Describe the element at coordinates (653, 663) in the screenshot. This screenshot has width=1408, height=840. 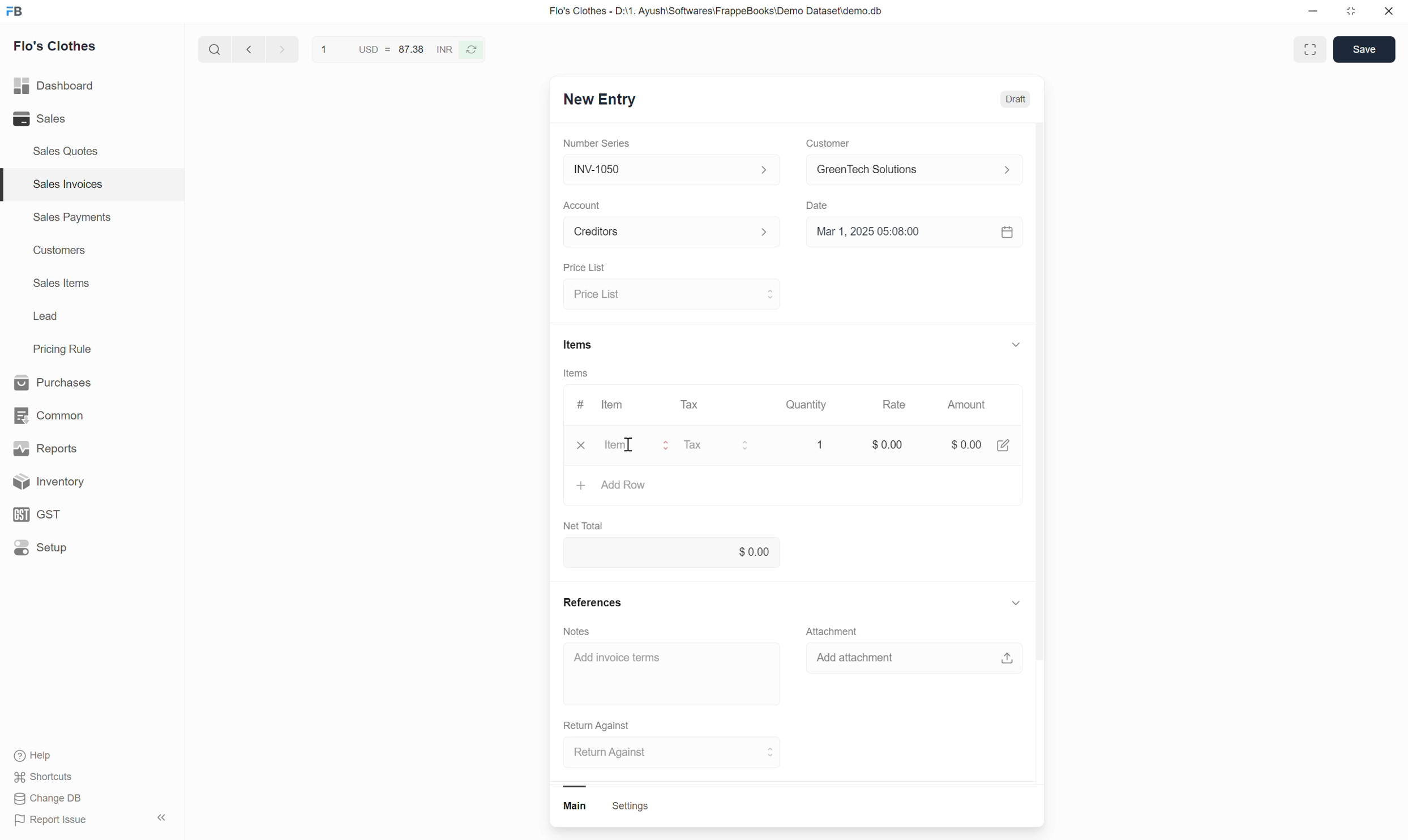
I see `Add invoice term input box` at that location.